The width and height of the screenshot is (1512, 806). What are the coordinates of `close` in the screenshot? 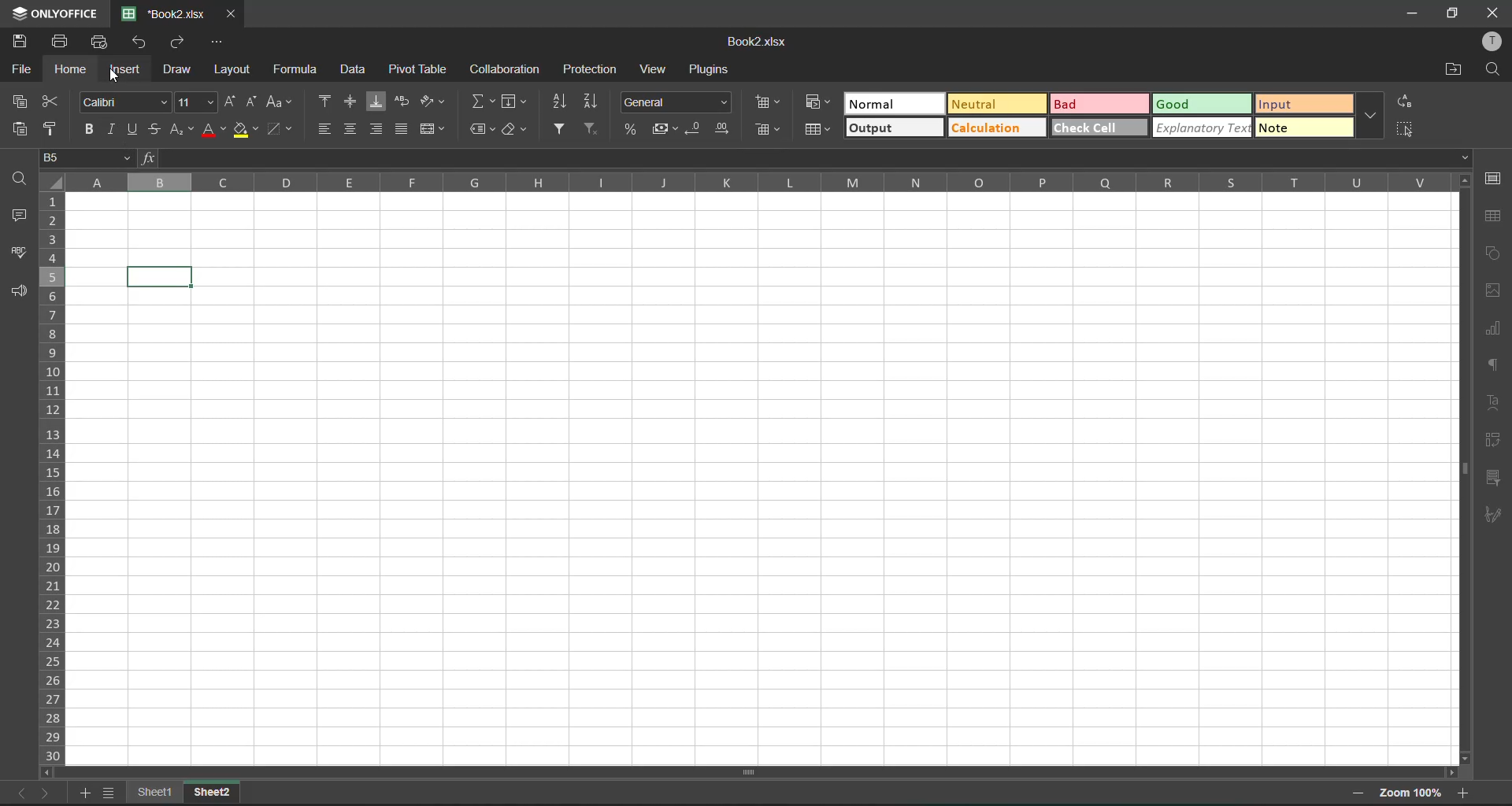 It's located at (1493, 11).